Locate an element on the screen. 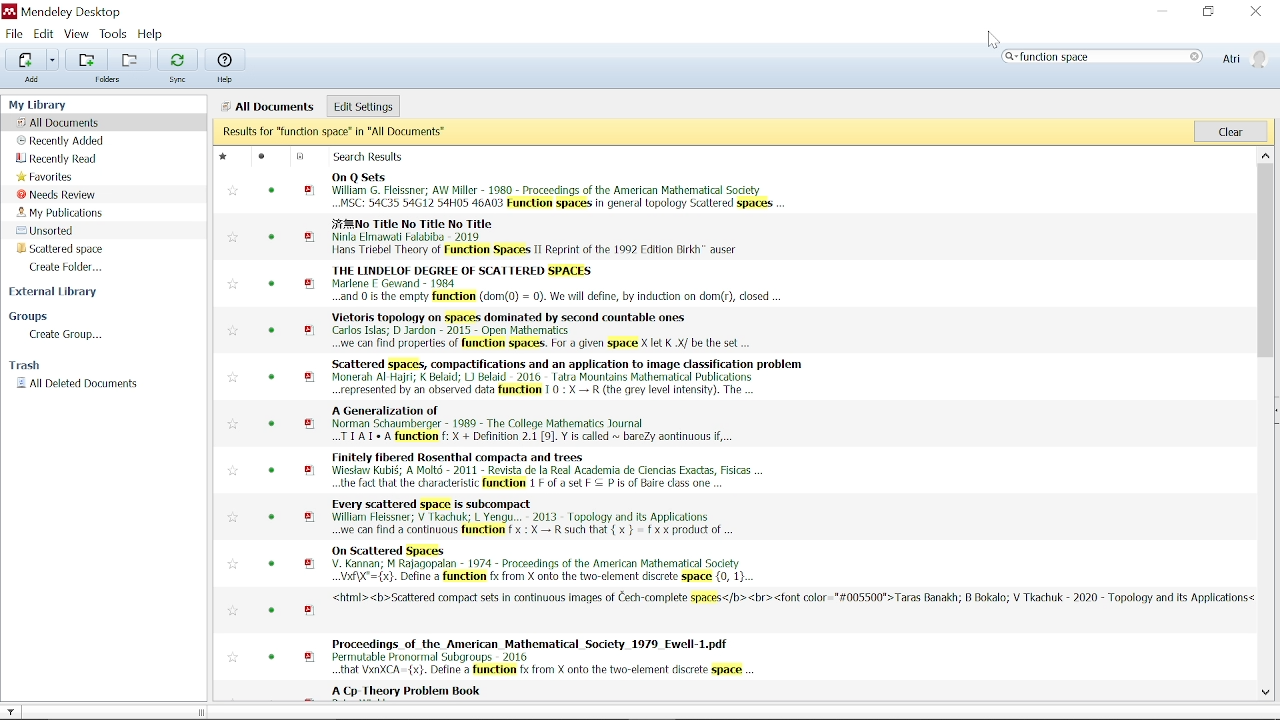 This screenshot has width=1280, height=720. Groups is located at coordinates (60, 316).